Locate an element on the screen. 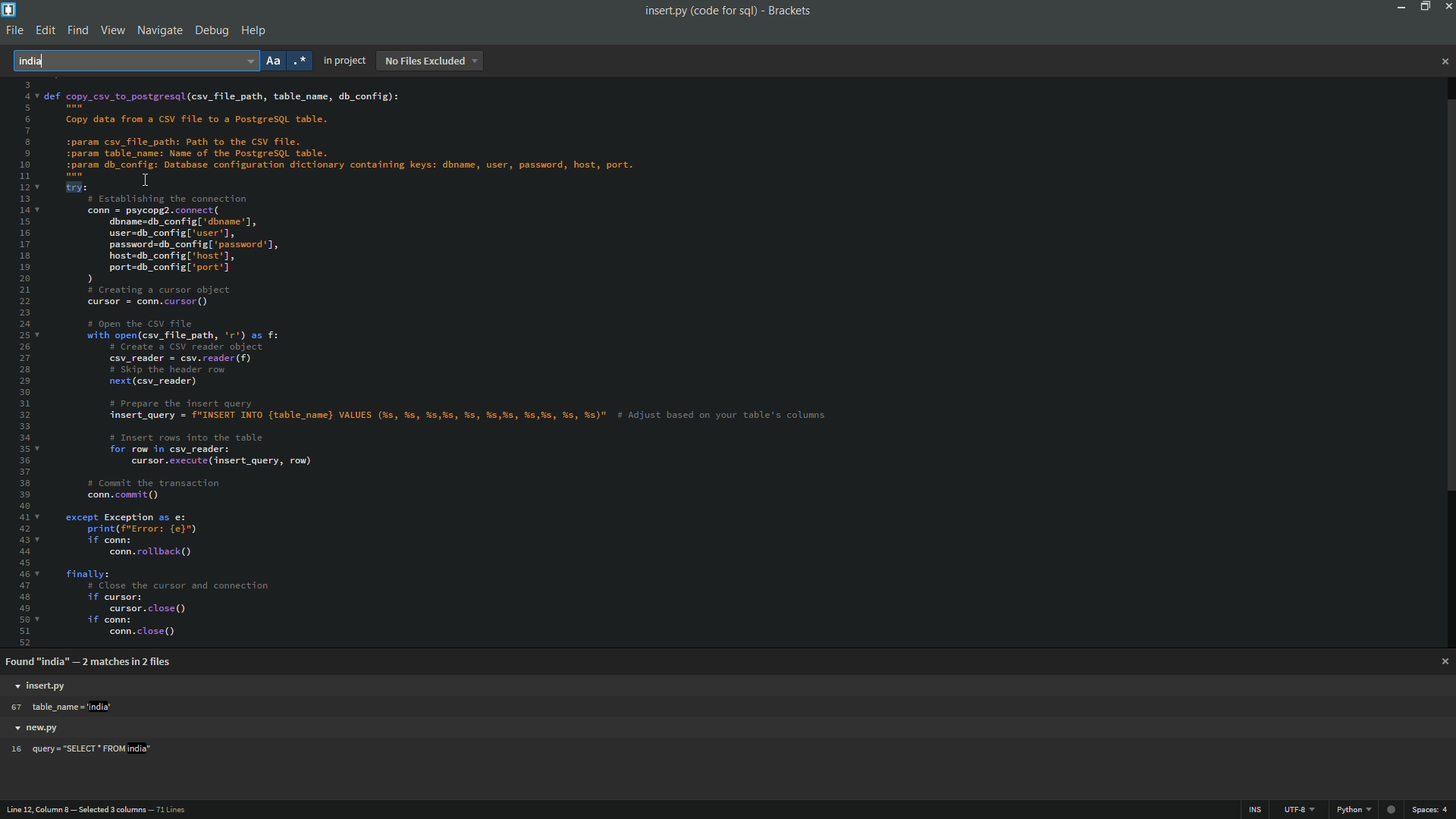  new.py is located at coordinates (36, 726).